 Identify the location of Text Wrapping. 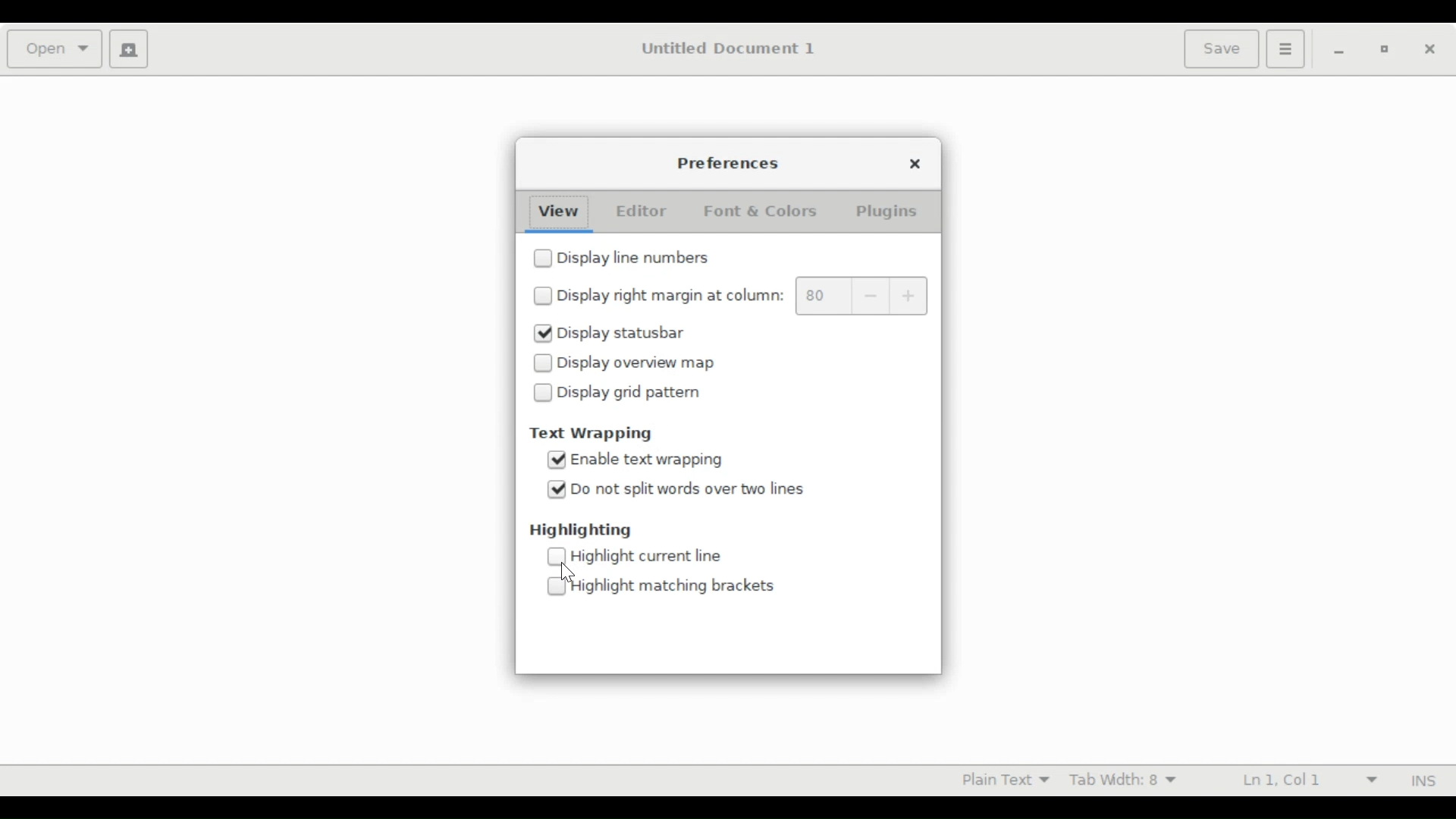
(589, 433).